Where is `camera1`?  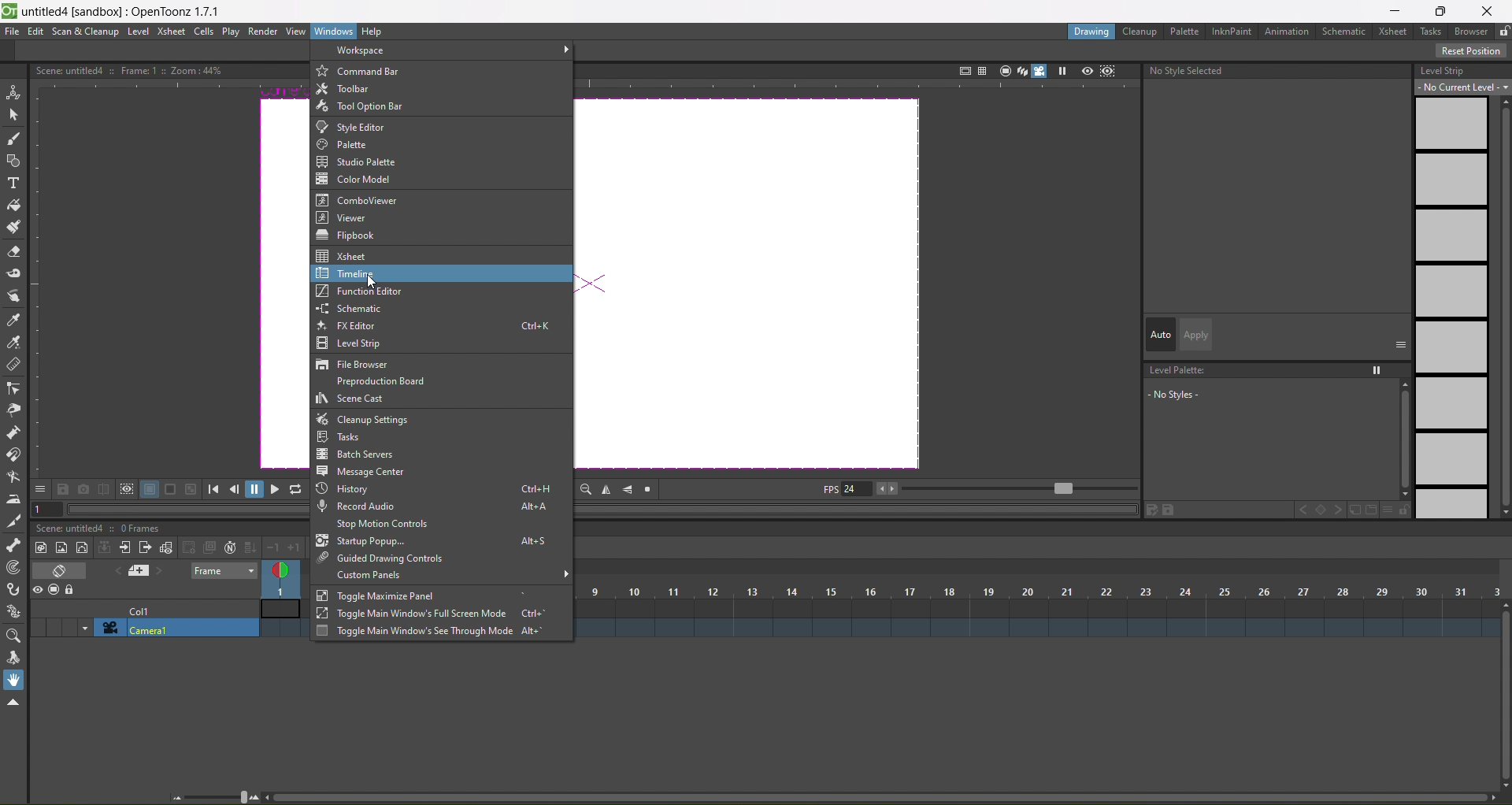 camera1 is located at coordinates (178, 629).